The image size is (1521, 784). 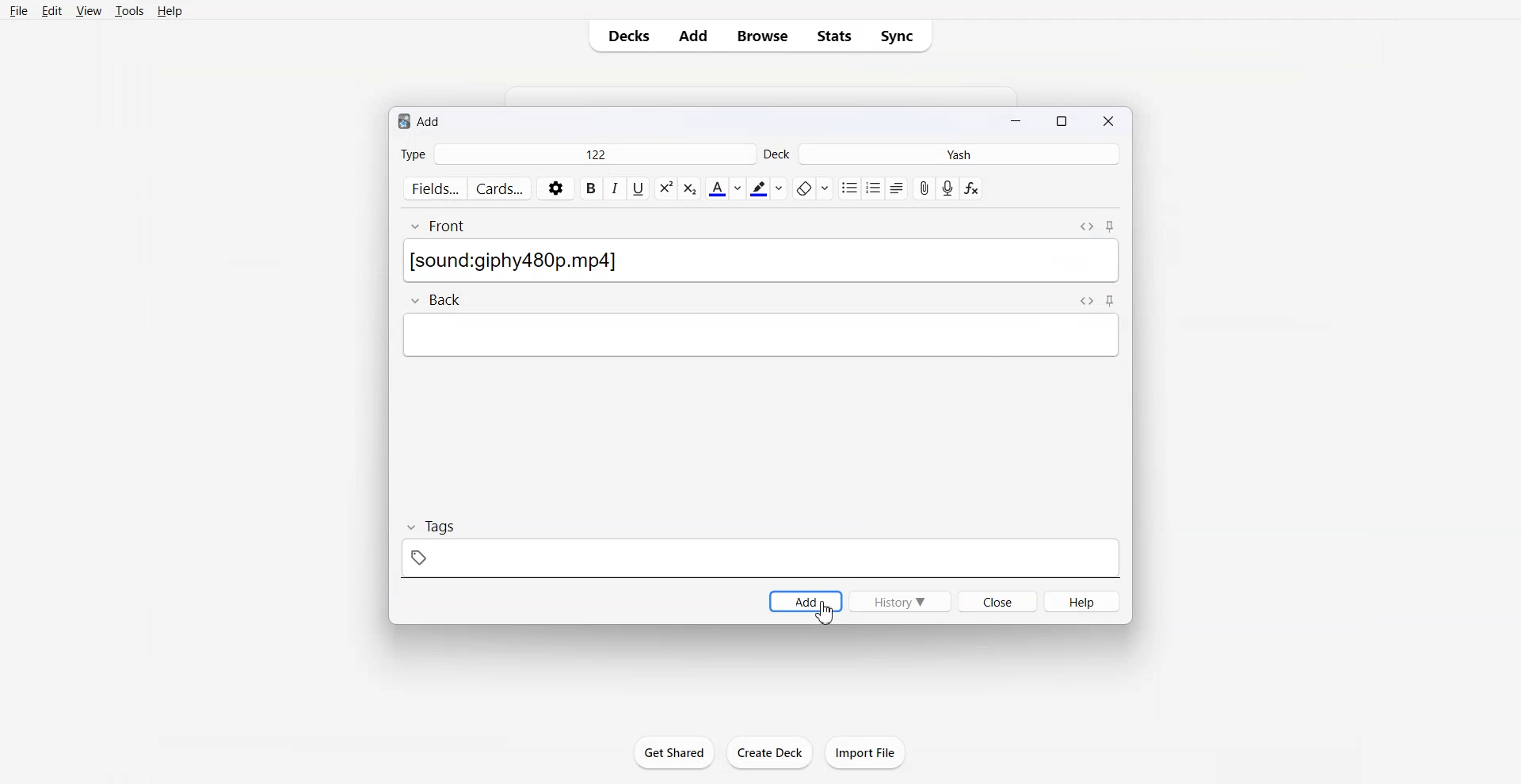 What do you see at coordinates (766, 188) in the screenshot?
I see `Highlight text color` at bounding box center [766, 188].